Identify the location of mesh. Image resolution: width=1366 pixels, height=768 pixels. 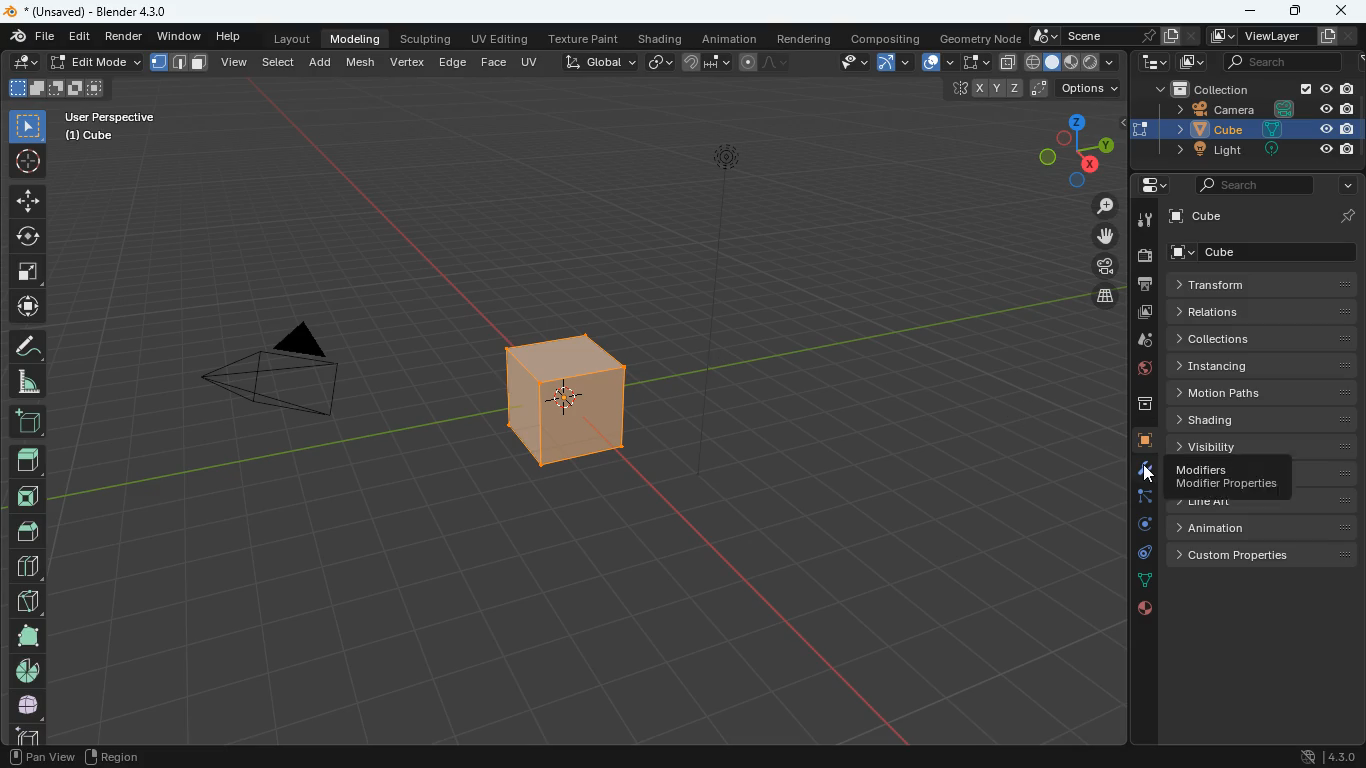
(361, 62).